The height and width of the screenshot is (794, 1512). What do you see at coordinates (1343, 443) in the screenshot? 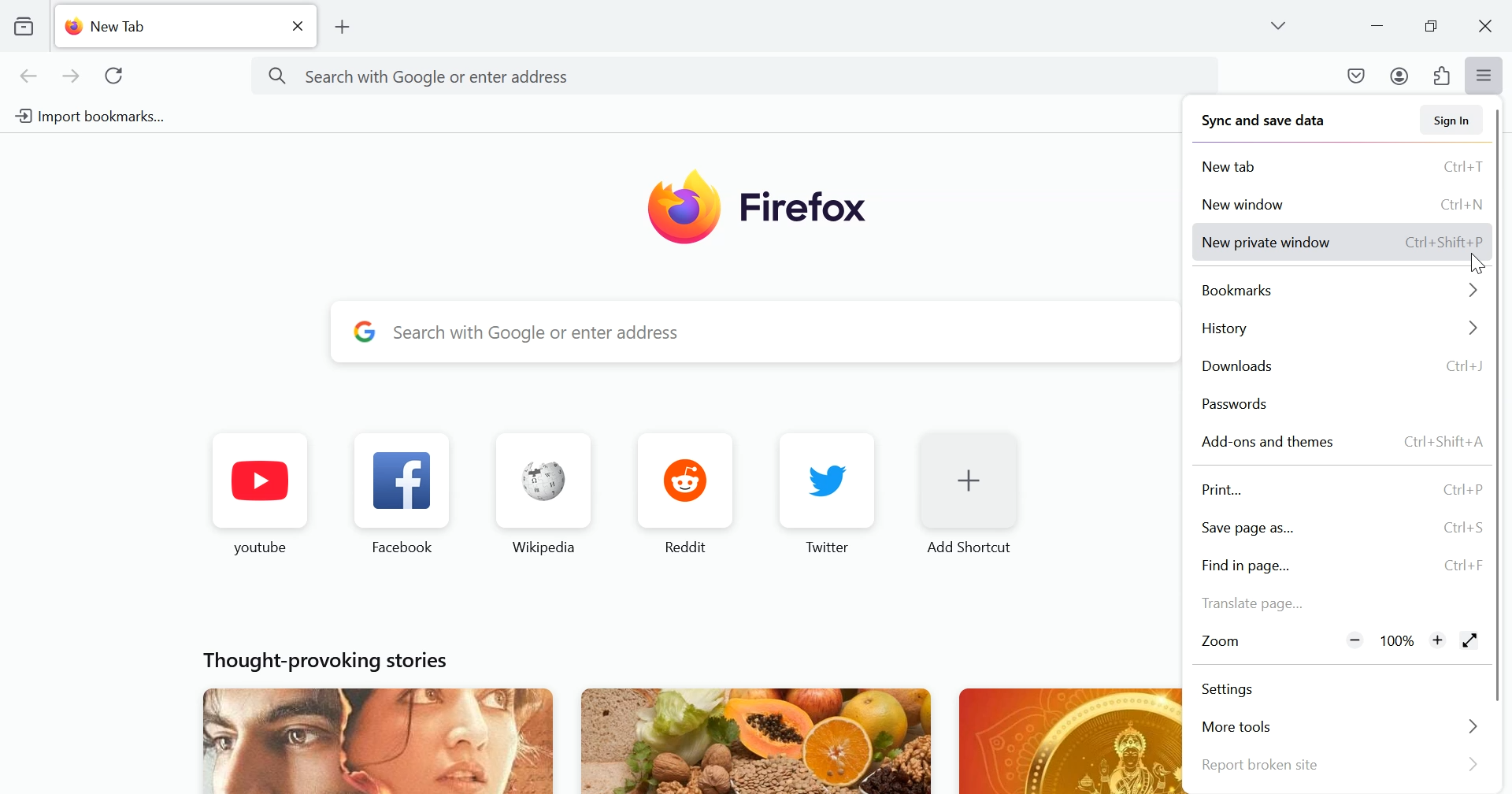
I see `add-ons and themes` at bounding box center [1343, 443].